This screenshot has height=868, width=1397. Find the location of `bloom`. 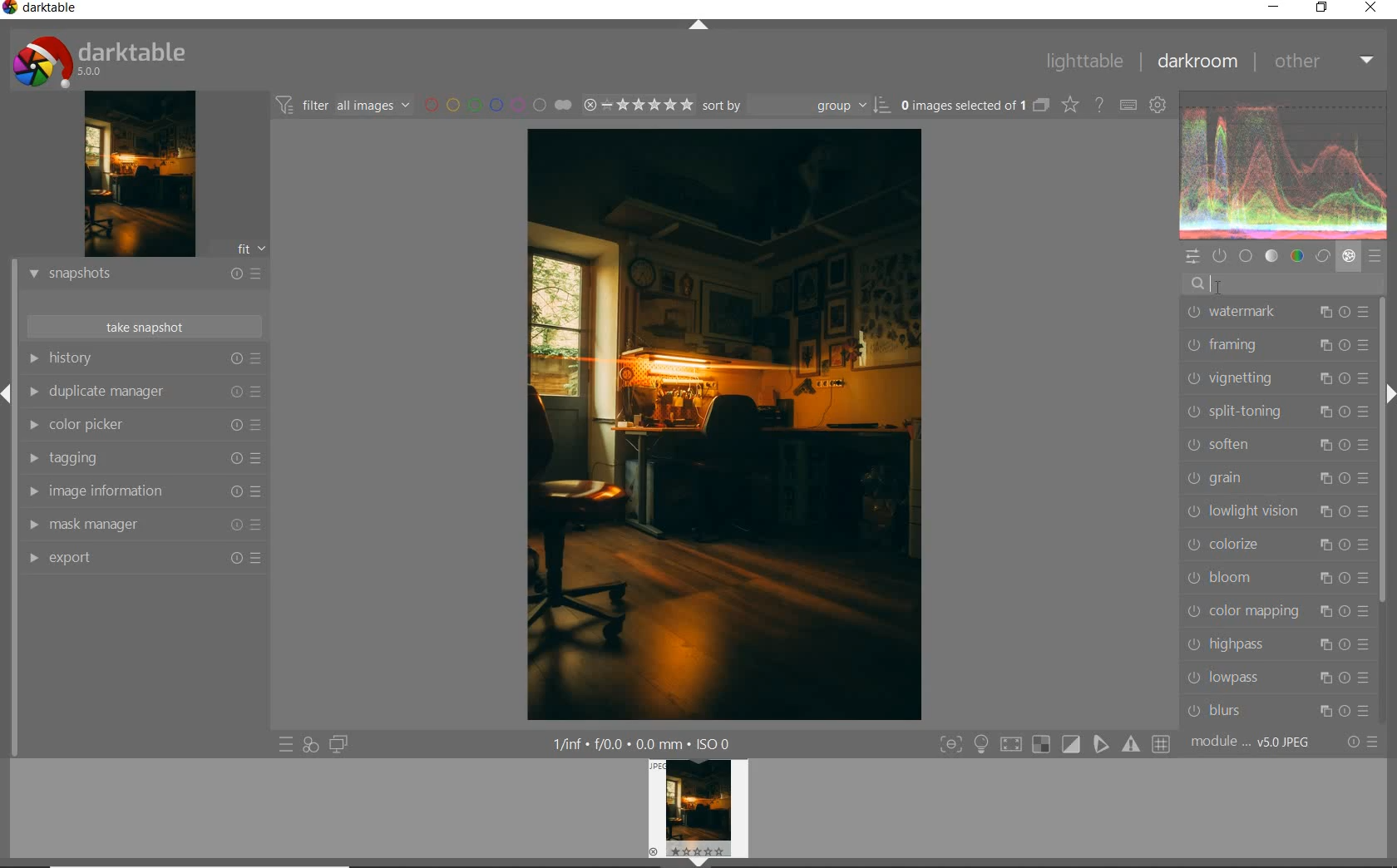

bloom is located at coordinates (1274, 577).